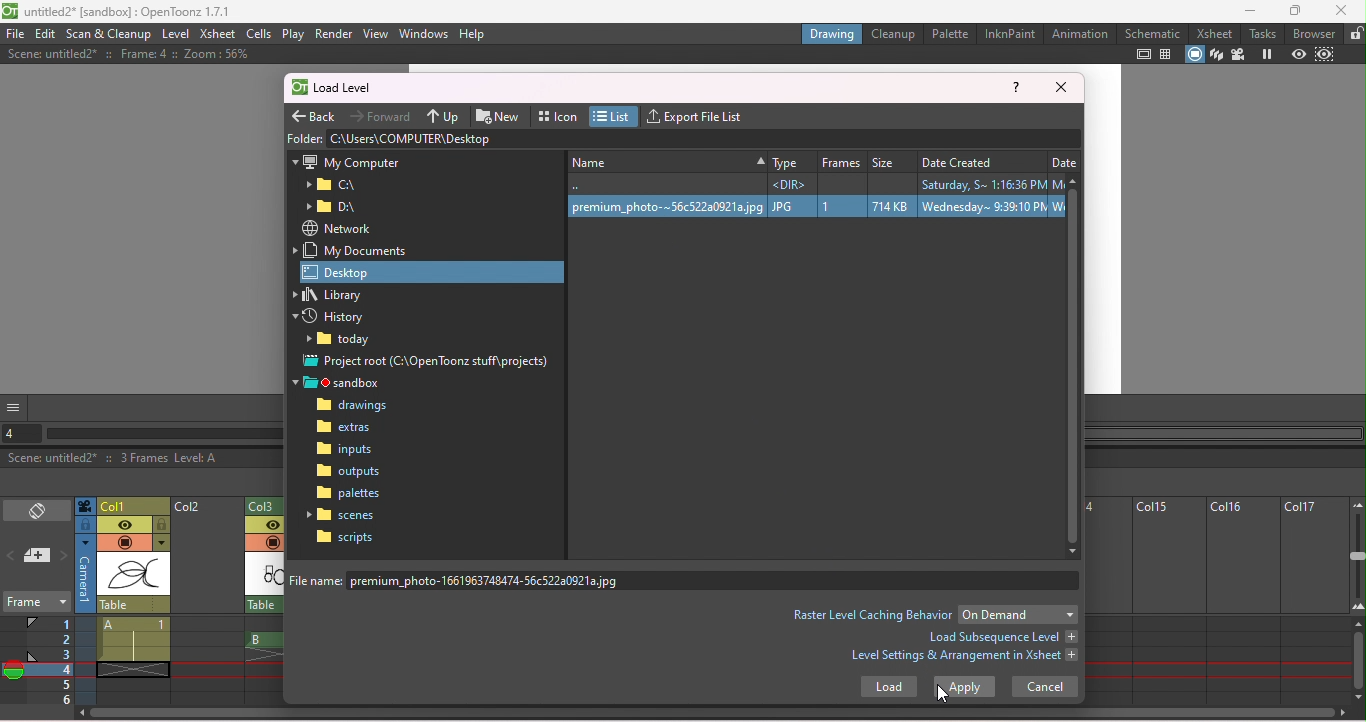 This screenshot has height=722, width=1366. Describe the element at coordinates (1144, 54) in the screenshot. I see `Safe area` at that location.